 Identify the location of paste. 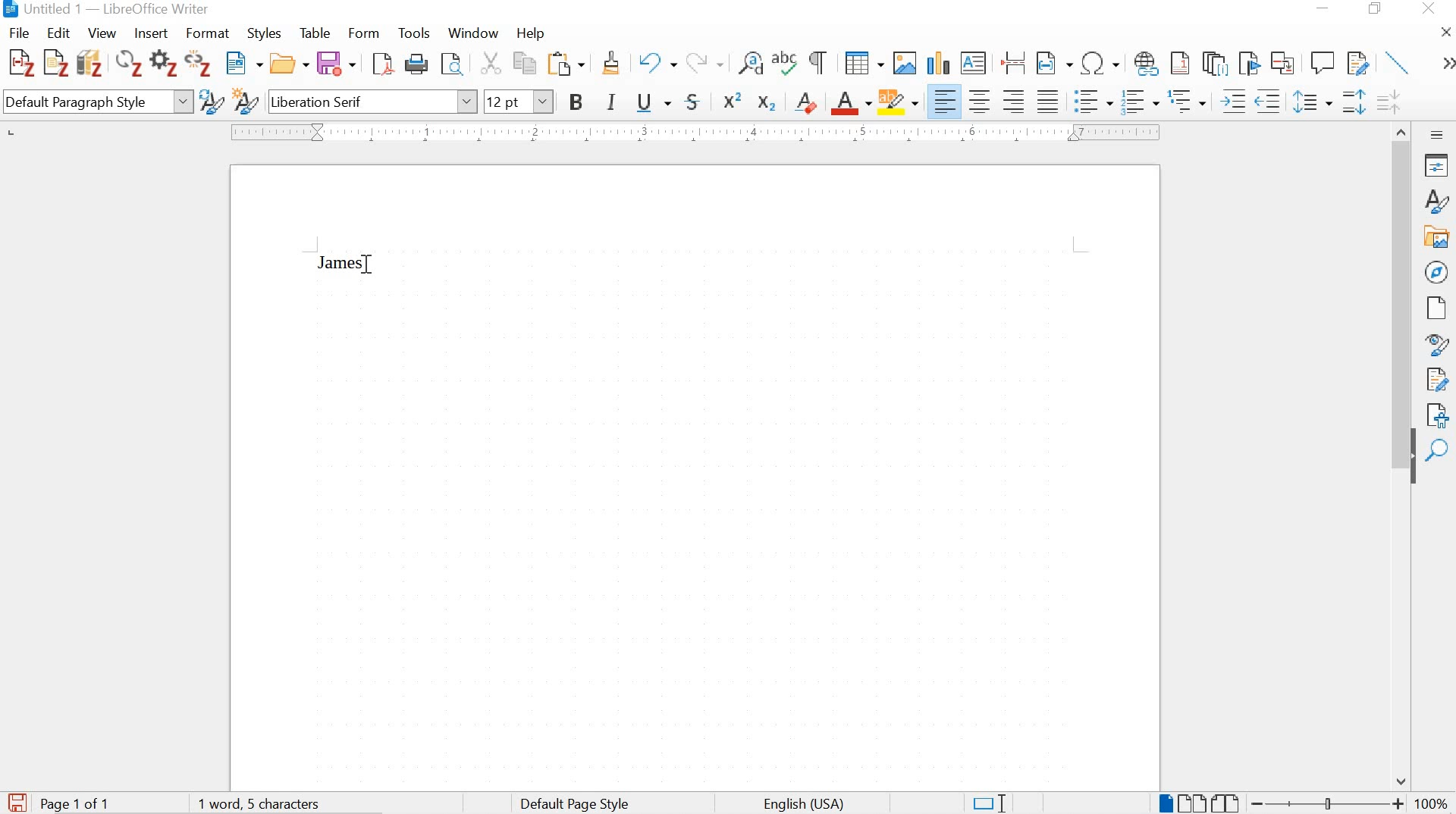
(570, 64).